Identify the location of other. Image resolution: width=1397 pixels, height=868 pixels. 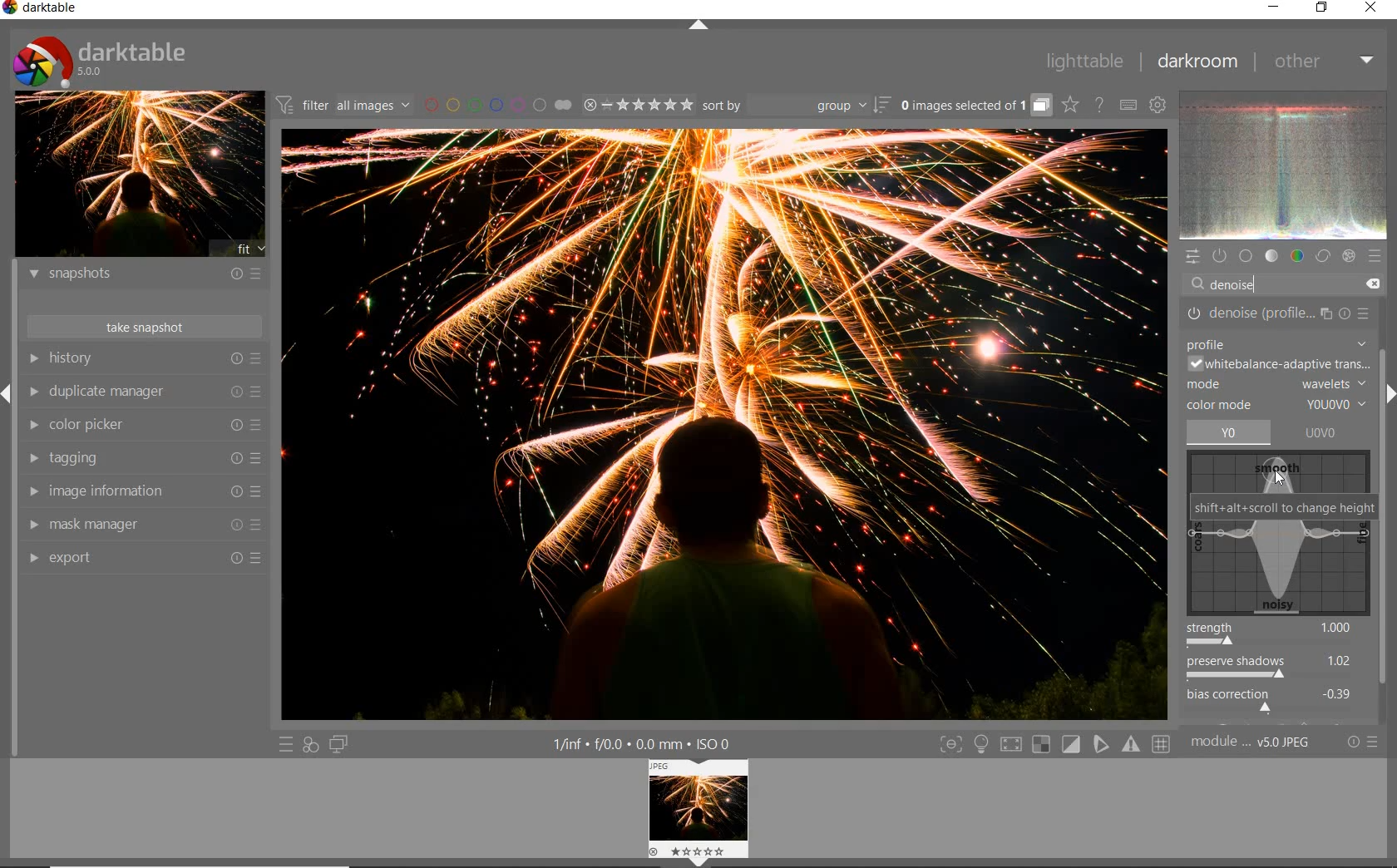
(1325, 62).